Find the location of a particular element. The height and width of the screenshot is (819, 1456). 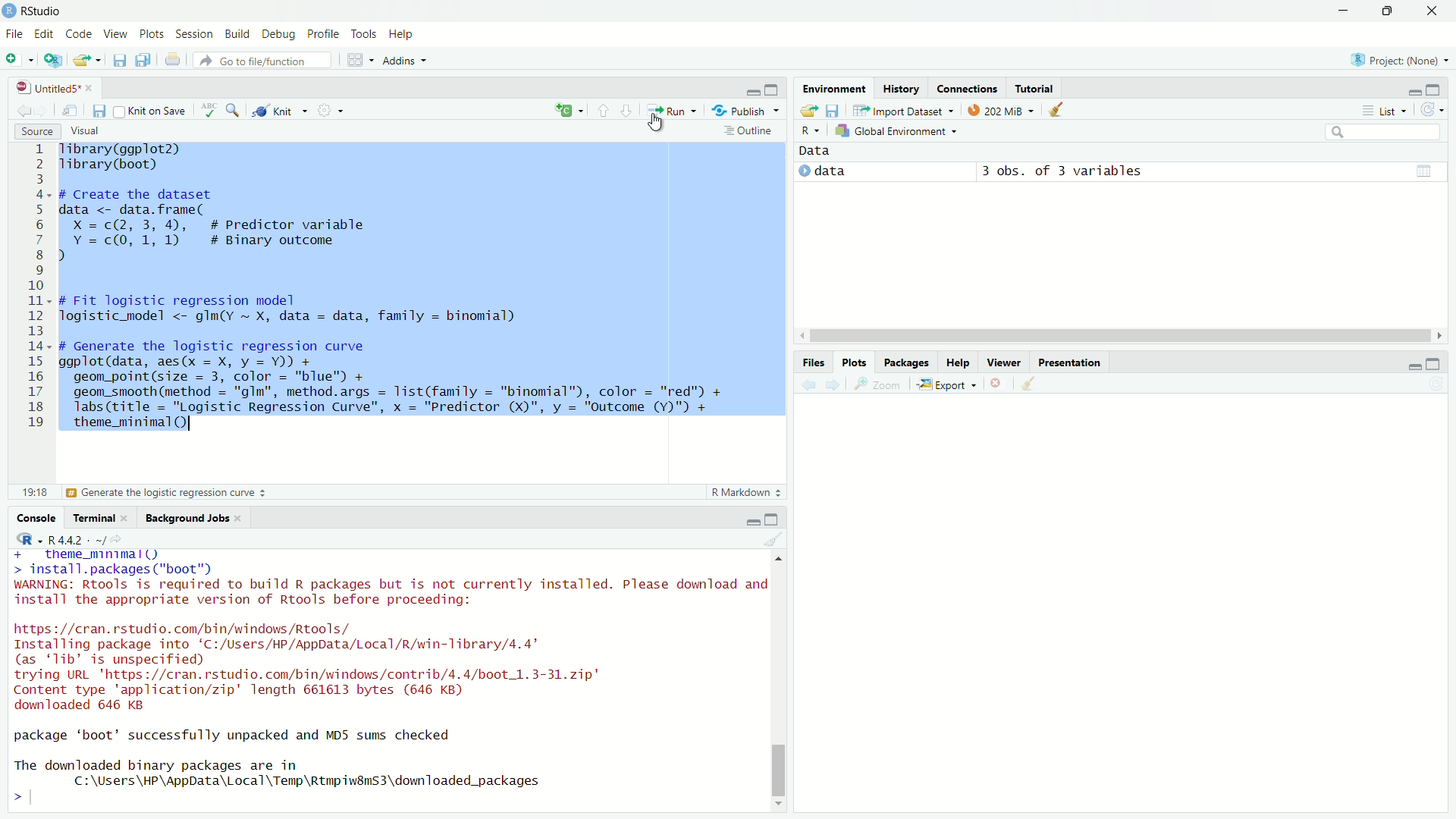

Tools is located at coordinates (362, 33).